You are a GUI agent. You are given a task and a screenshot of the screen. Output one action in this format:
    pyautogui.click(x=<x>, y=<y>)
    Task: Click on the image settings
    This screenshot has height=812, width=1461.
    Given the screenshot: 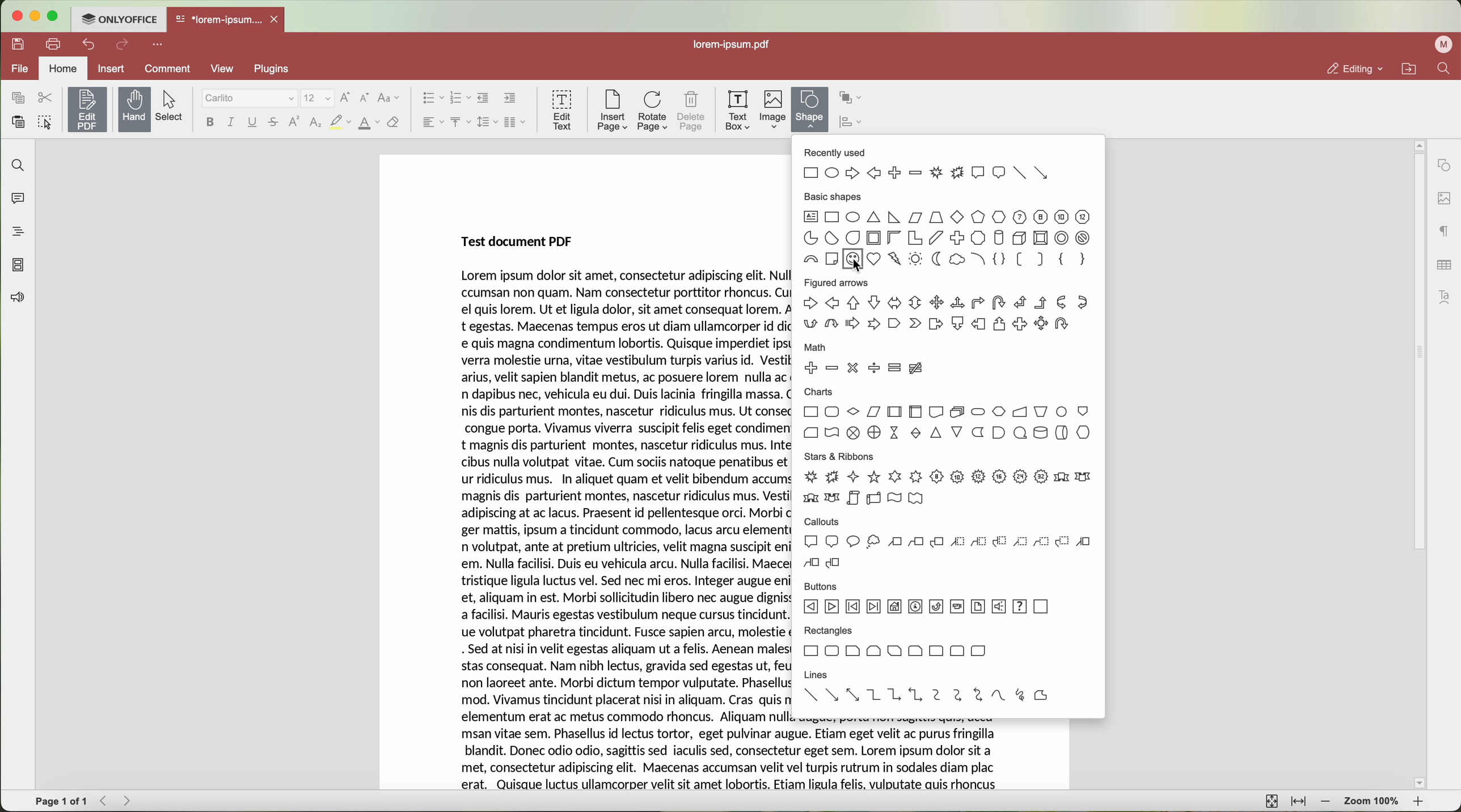 What is the action you would take?
    pyautogui.click(x=1443, y=198)
    